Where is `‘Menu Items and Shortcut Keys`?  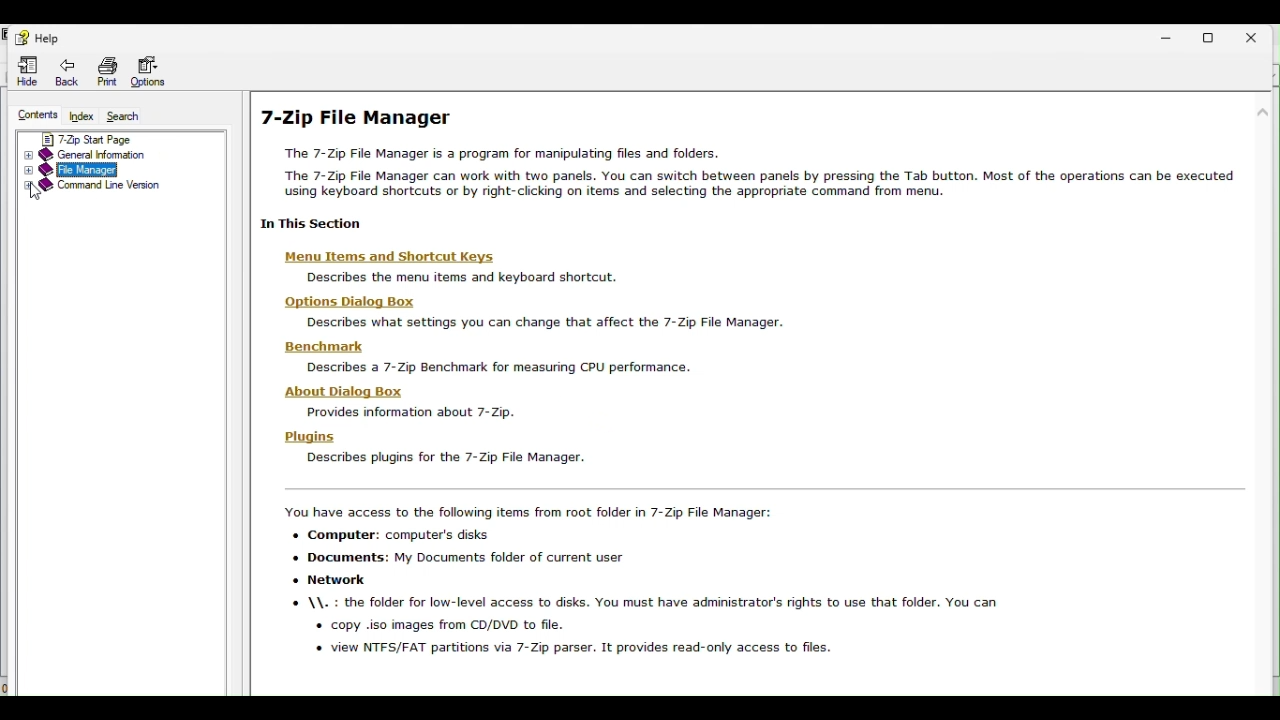
‘Menu Items and Shortcut Keys is located at coordinates (395, 256).